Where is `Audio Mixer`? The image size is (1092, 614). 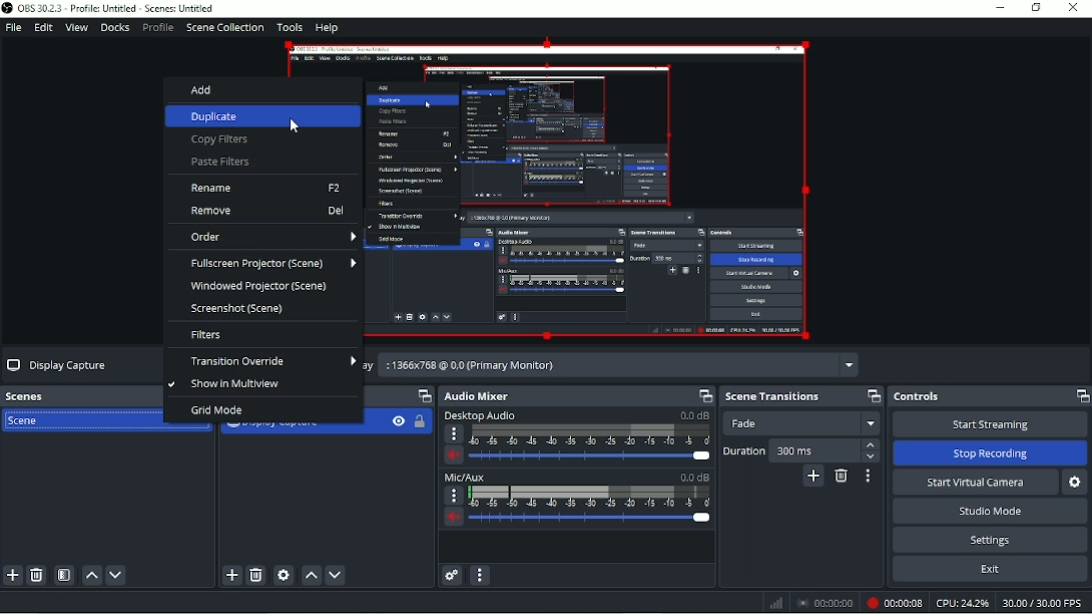
Audio Mixer is located at coordinates (477, 397).